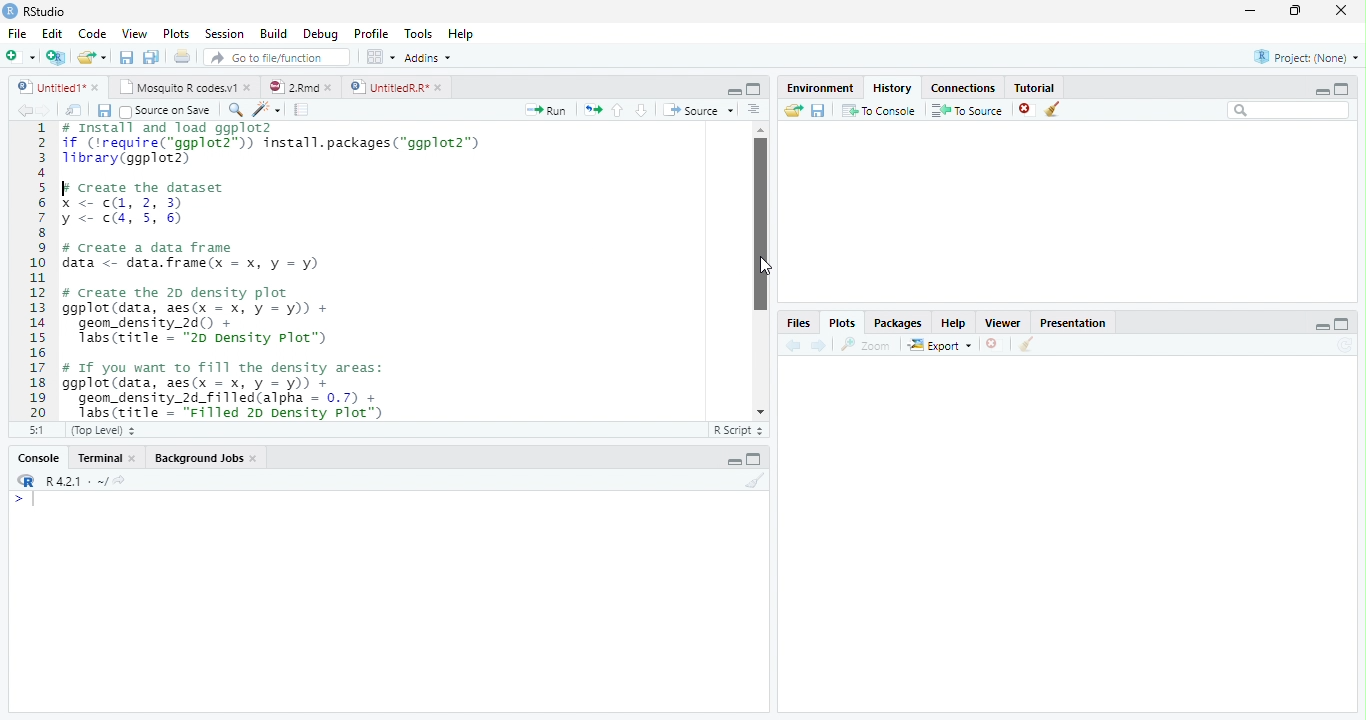  What do you see at coordinates (1001, 322) in the screenshot?
I see `Viewer` at bounding box center [1001, 322].